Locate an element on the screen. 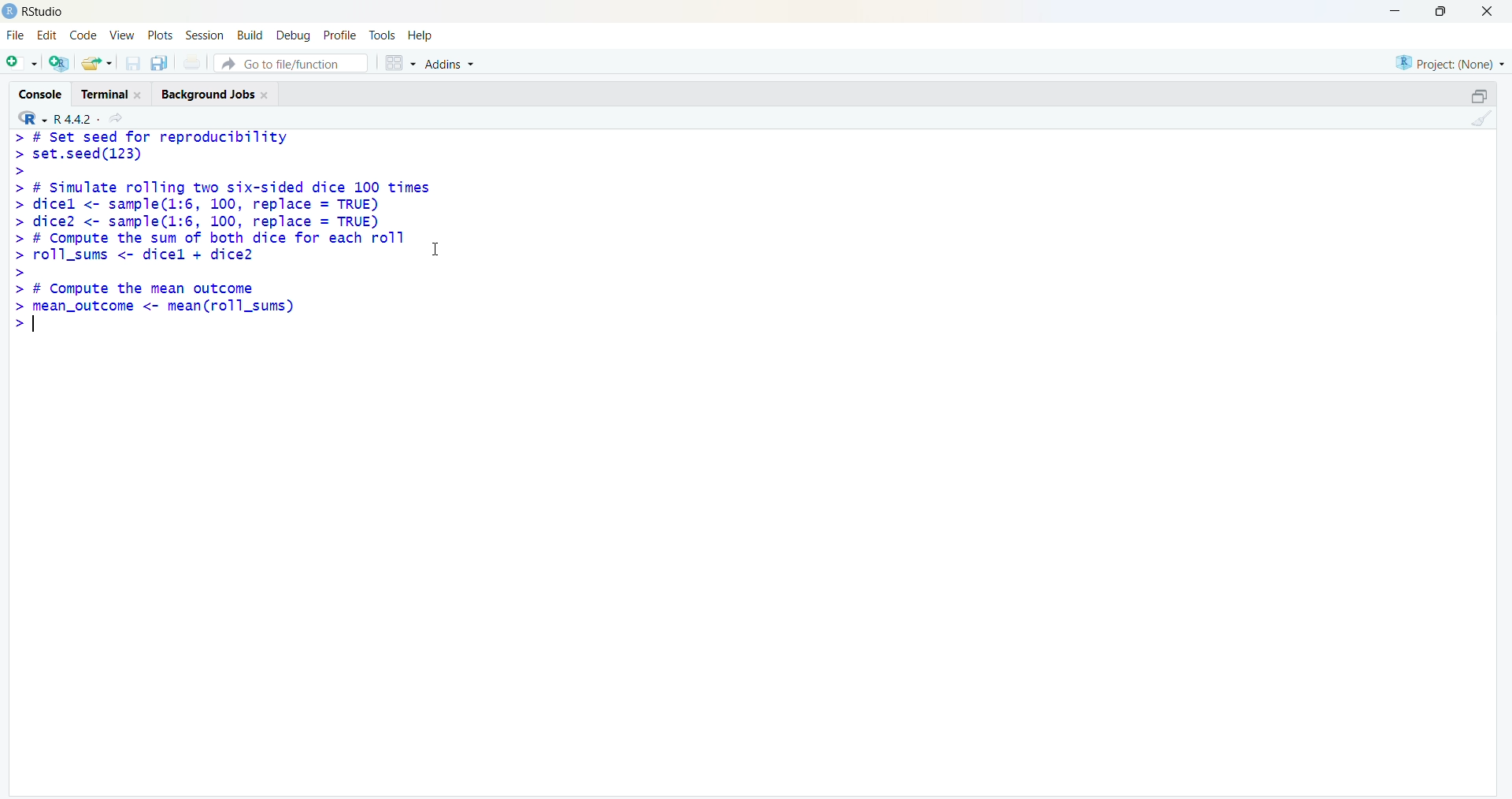 The image size is (1512, 799). > # Set seed for reproducibility> set.seed(123)>> # Simulate rolling two six-sided dice 100 times> dicel <- sample(1:6, 100, replace = TRUE)> dice2 <- sample(1:6, 100, replace = TRUE)> # Compute the sum of both dice for each rollroll_sums <- dicel + dice2# Compute the mean outcomemean_outcome <- mean(roll_sums)> is located at coordinates (220, 232).